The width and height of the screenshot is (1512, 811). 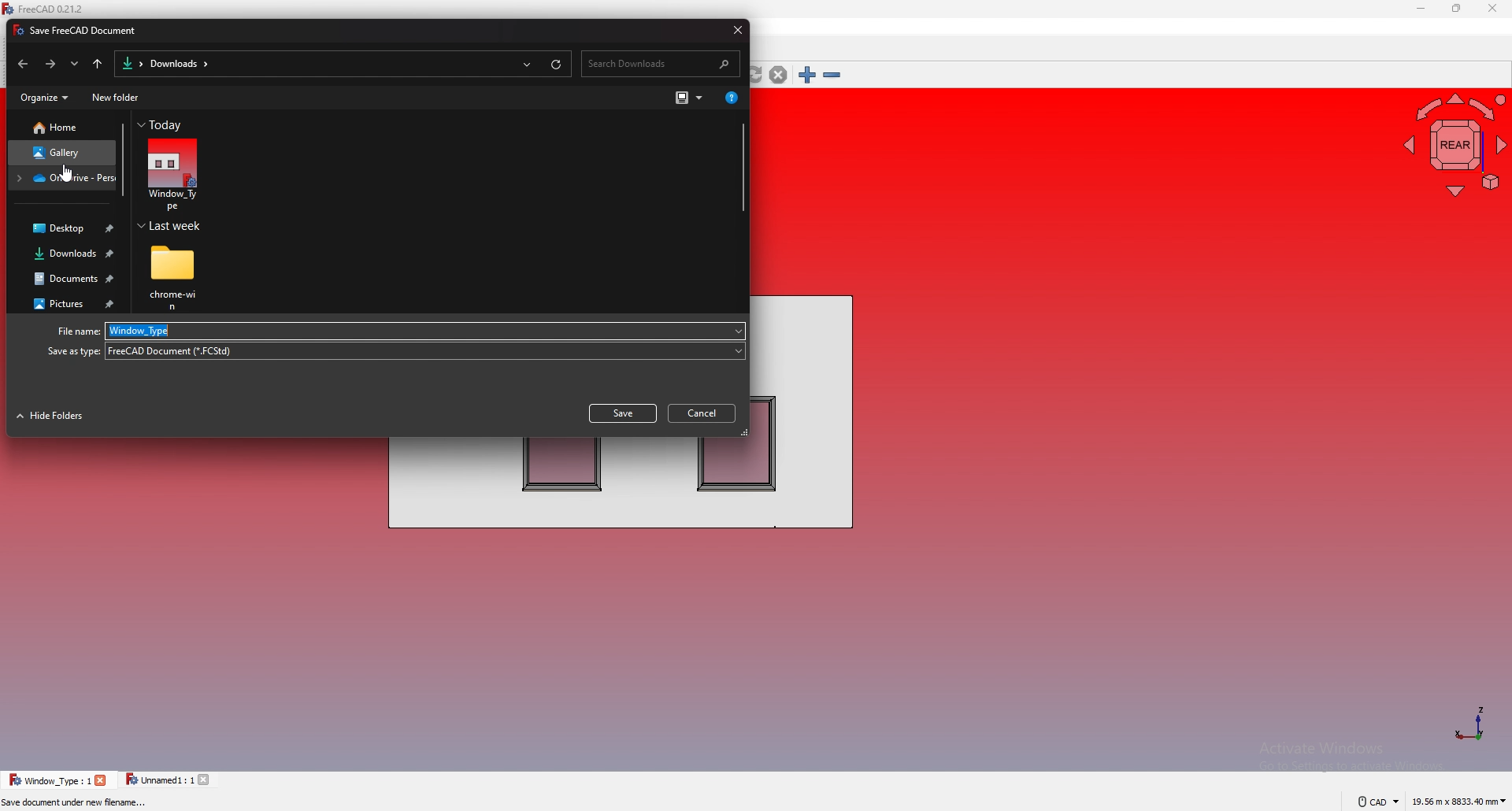 What do you see at coordinates (832, 76) in the screenshot?
I see `zoom out` at bounding box center [832, 76].